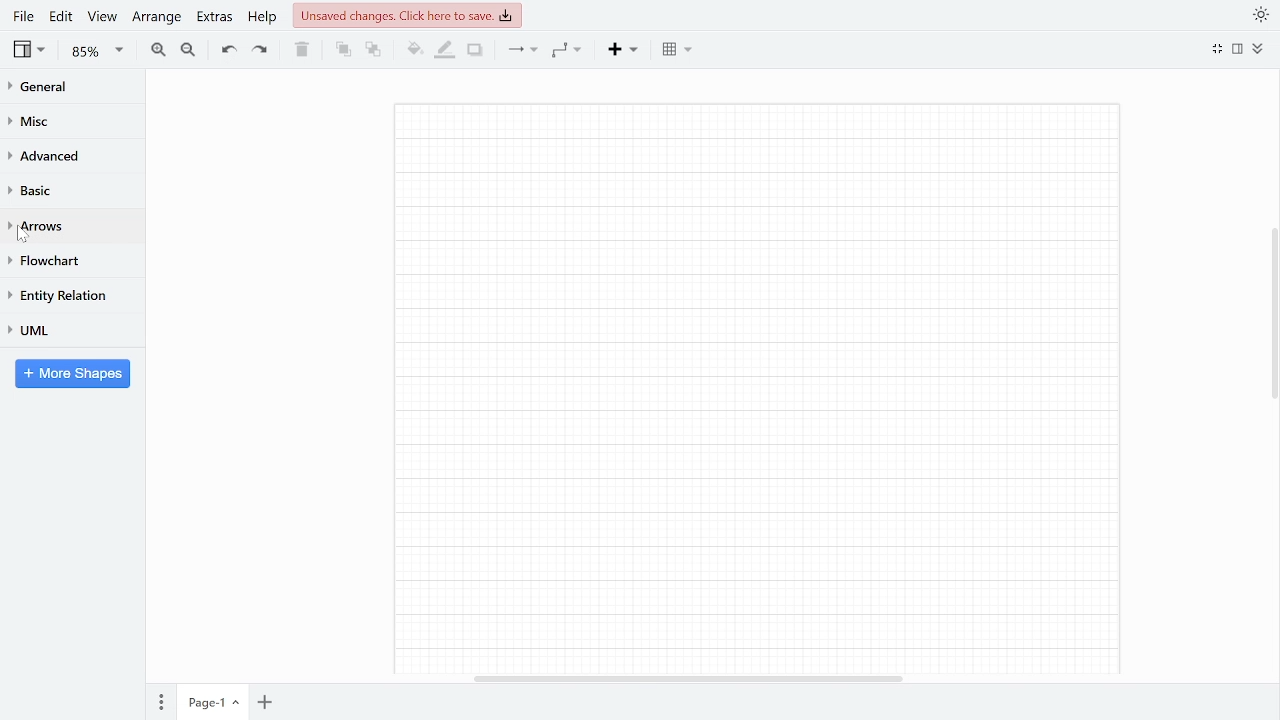  What do you see at coordinates (264, 17) in the screenshot?
I see `Help` at bounding box center [264, 17].